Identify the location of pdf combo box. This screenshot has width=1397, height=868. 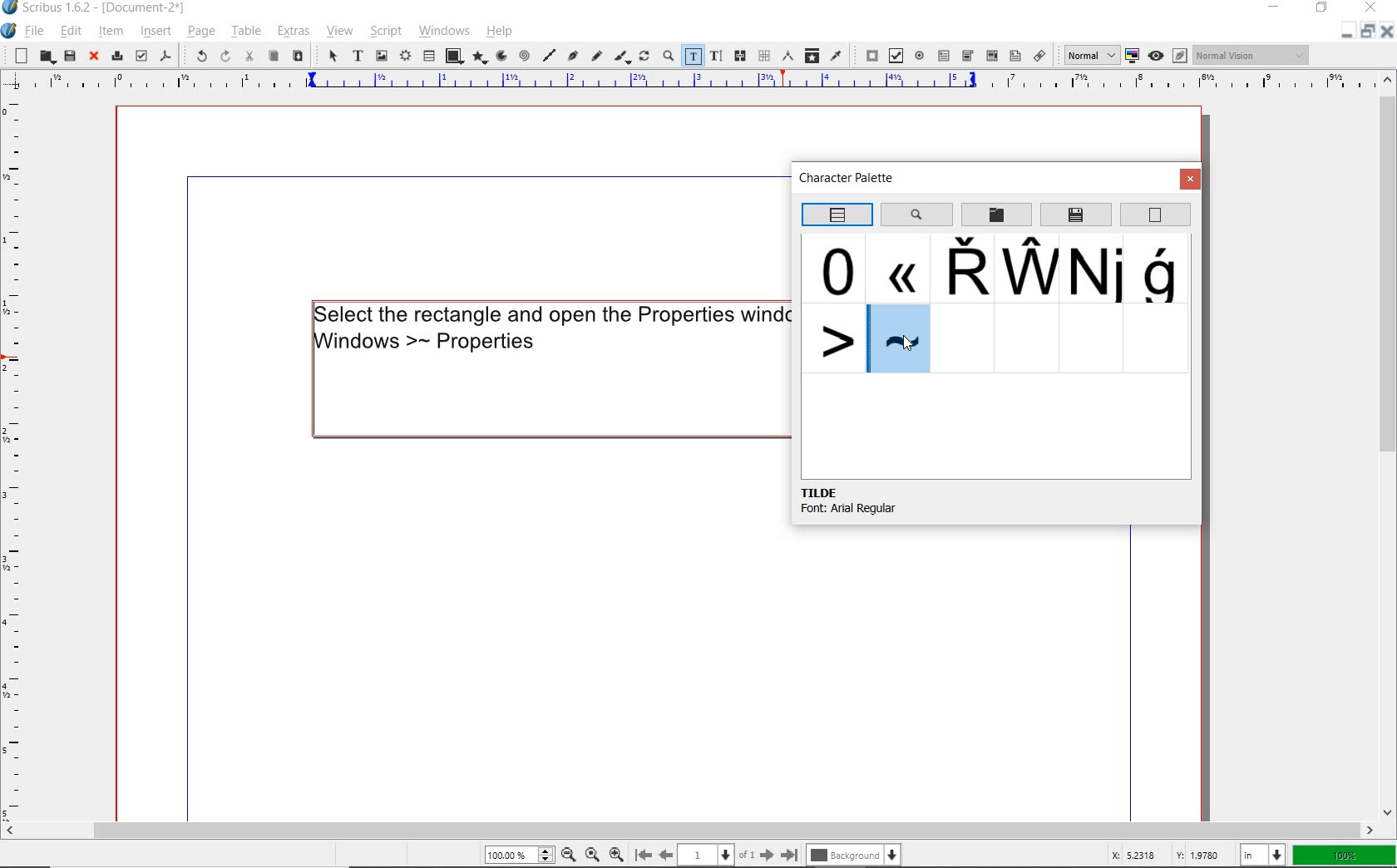
(968, 55).